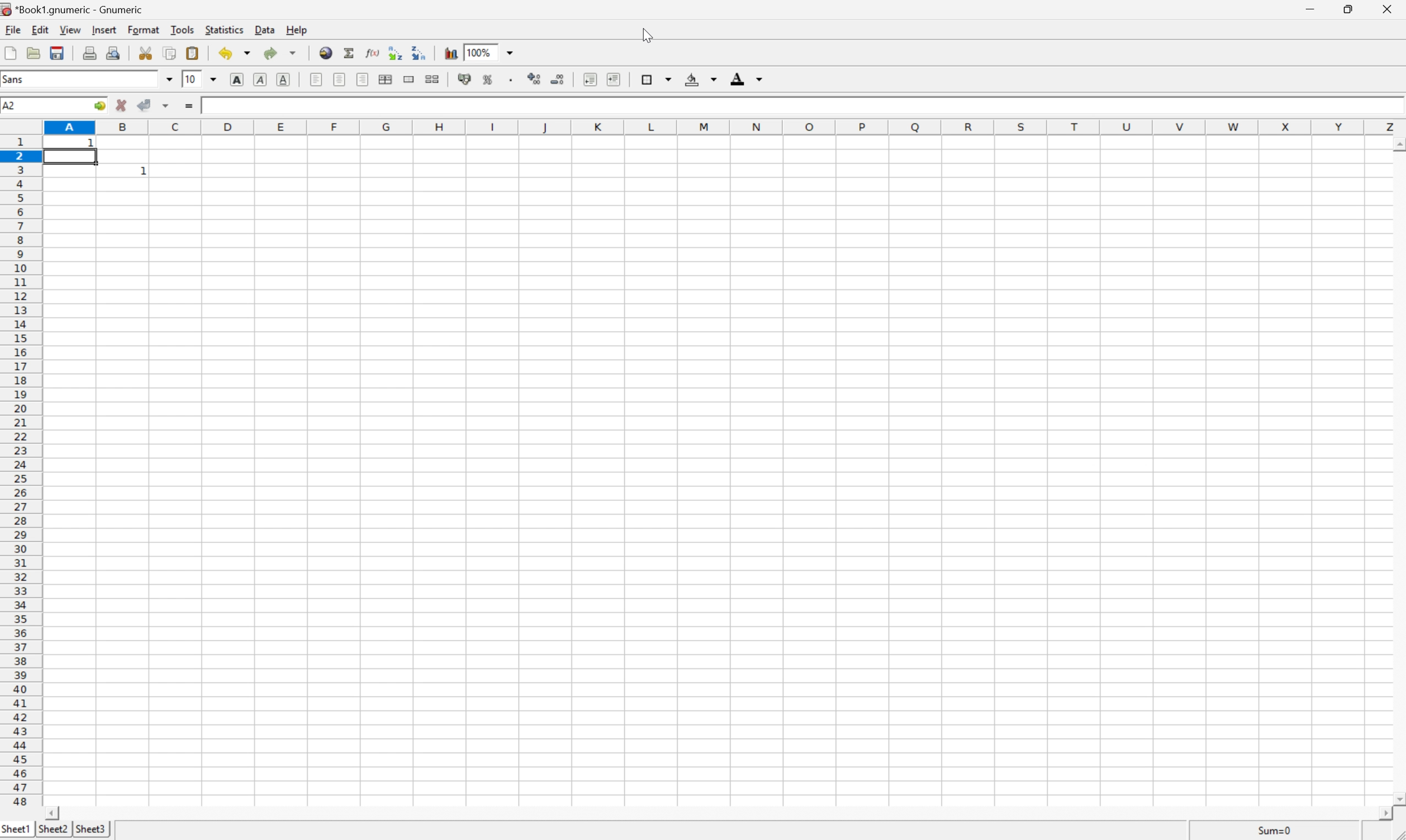 This screenshot has width=1406, height=840. I want to click on tools, so click(182, 30).